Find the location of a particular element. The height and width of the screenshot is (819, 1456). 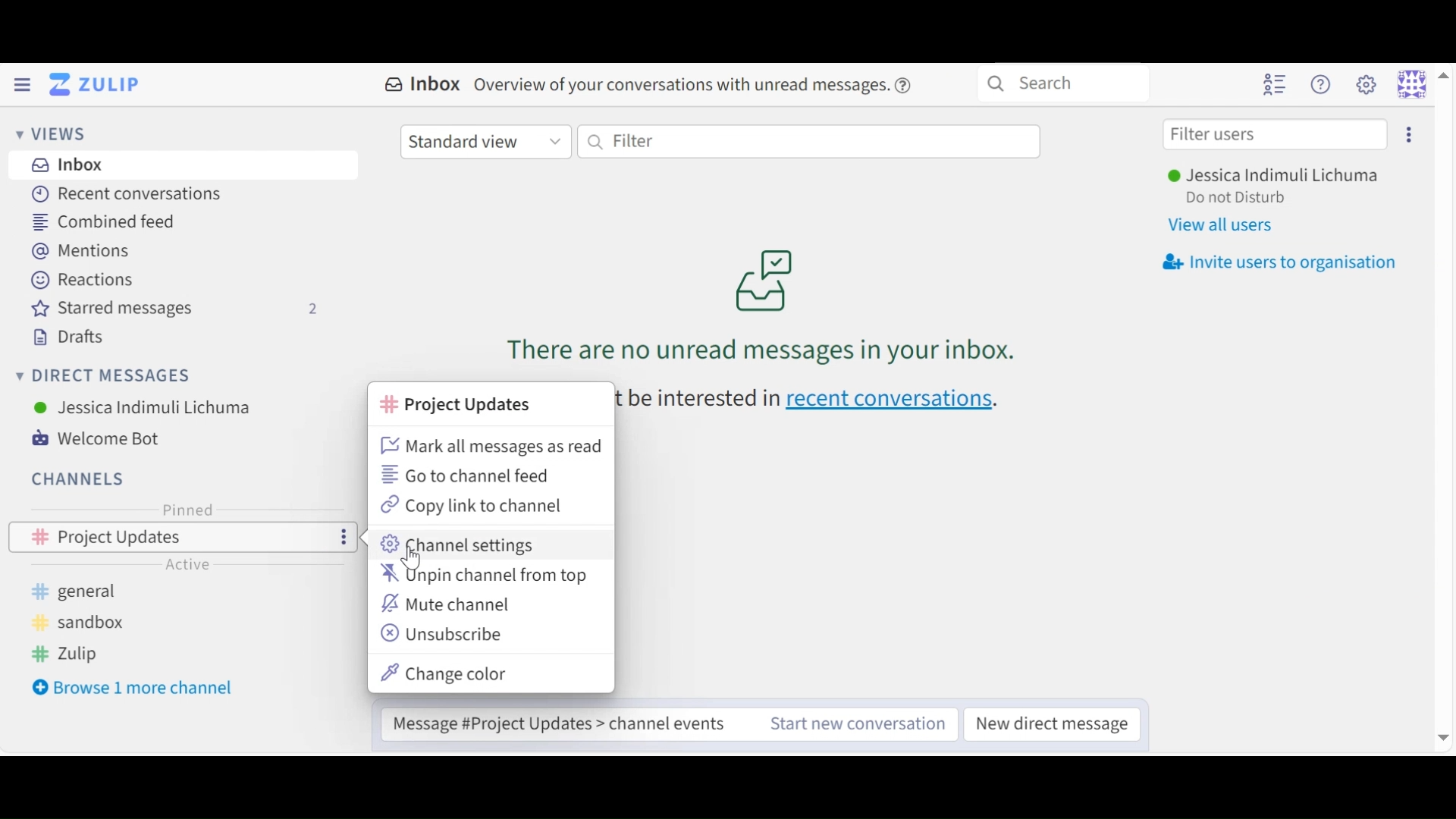

Invite users to organisation is located at coordinates (1407, 135).